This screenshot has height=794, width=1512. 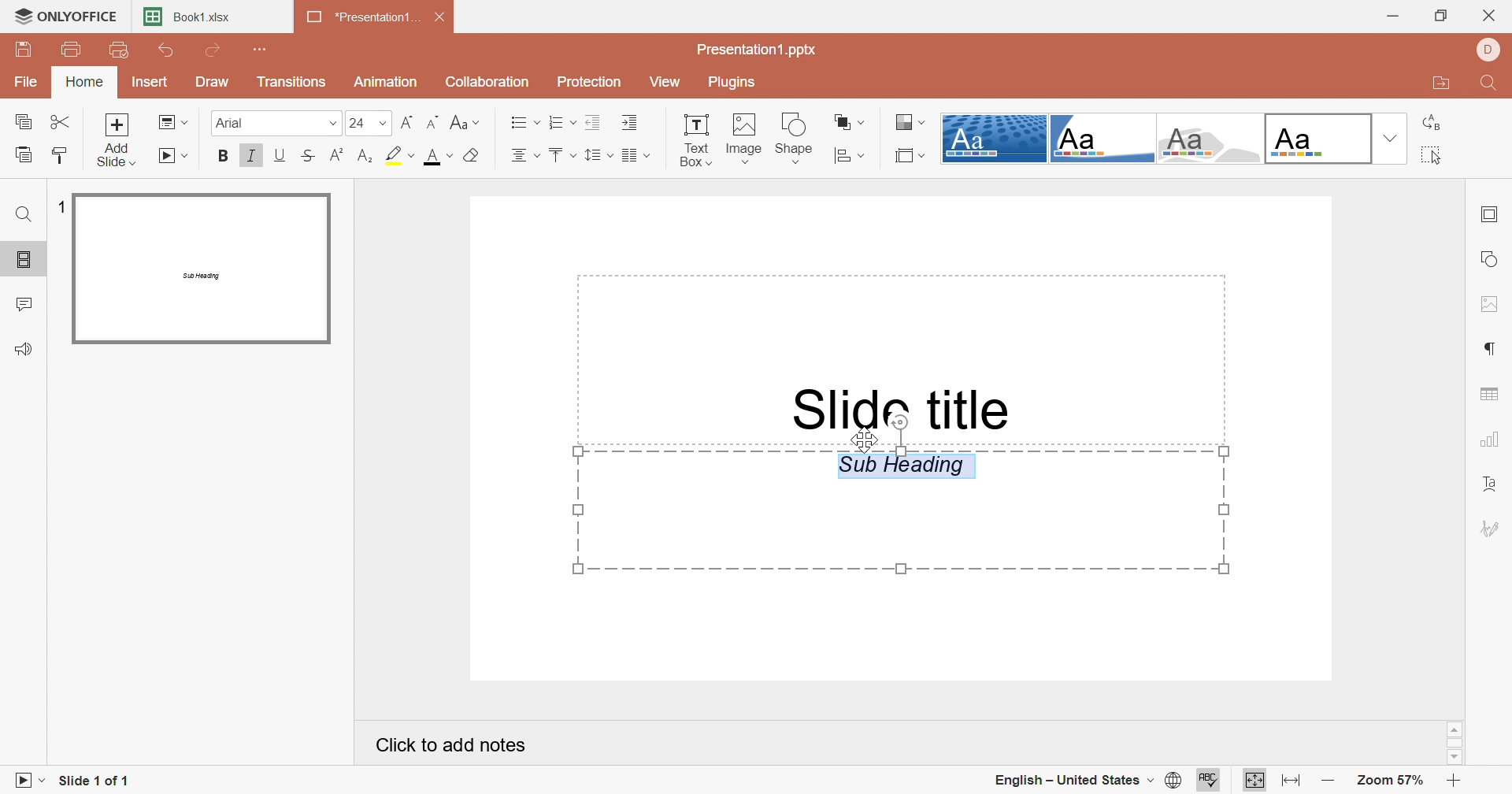 What do you see at coordinates (28, 779) in the screenshot?
I see `Start slideshow` at bounding box center [28, 779].